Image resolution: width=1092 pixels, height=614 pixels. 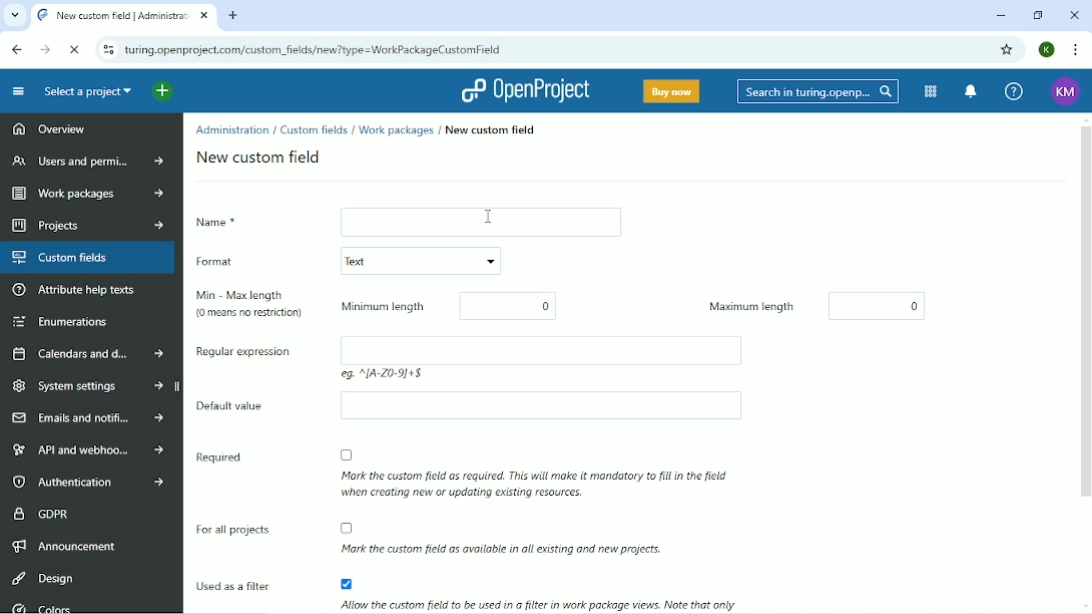 I want to click on Back, so click(x=18, y=49).